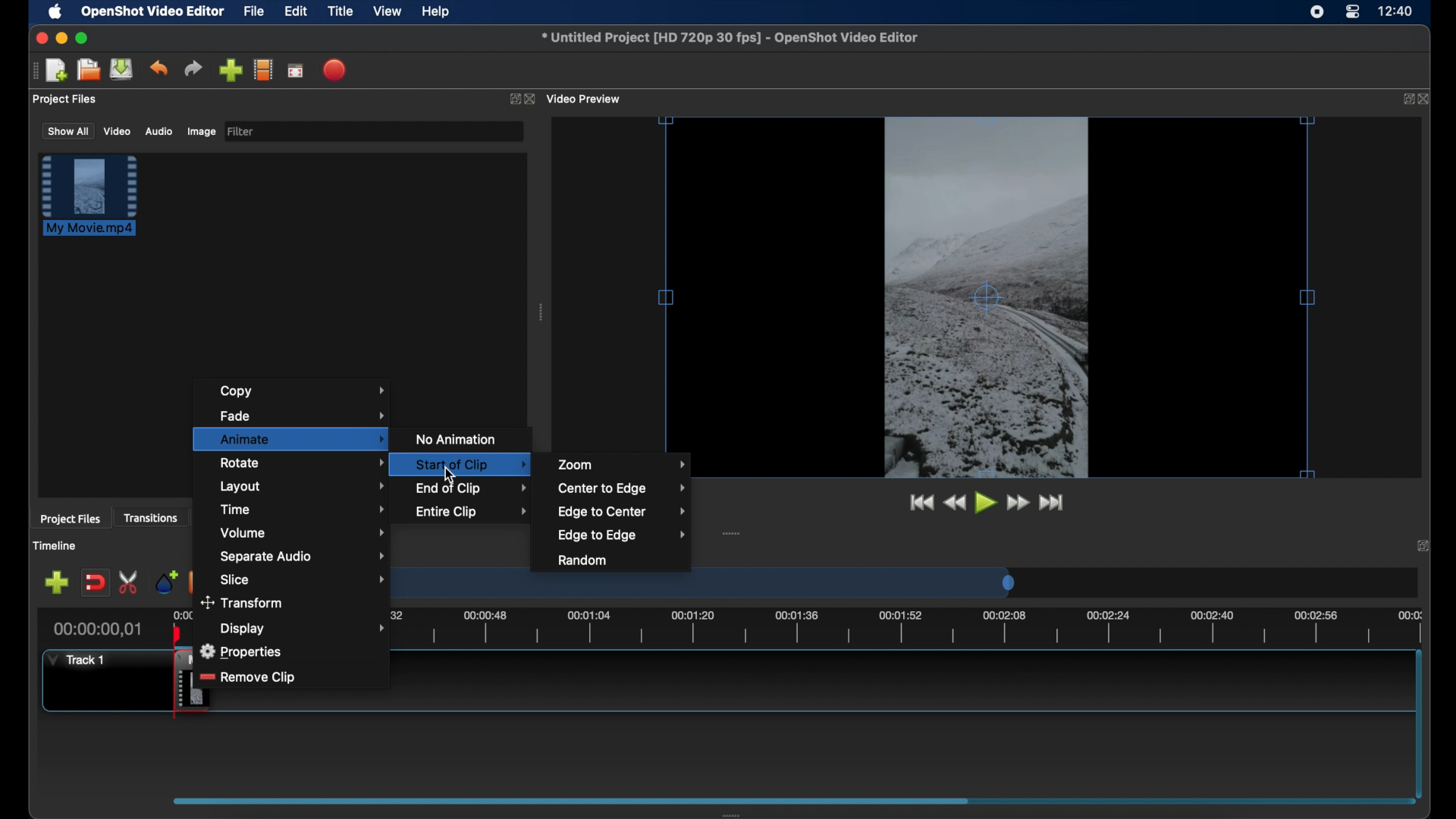 The height and width of the screenshot is (819, 1456). Describe the element at coordinates (56, 583) in the screenshot. I see `add track` at that location.